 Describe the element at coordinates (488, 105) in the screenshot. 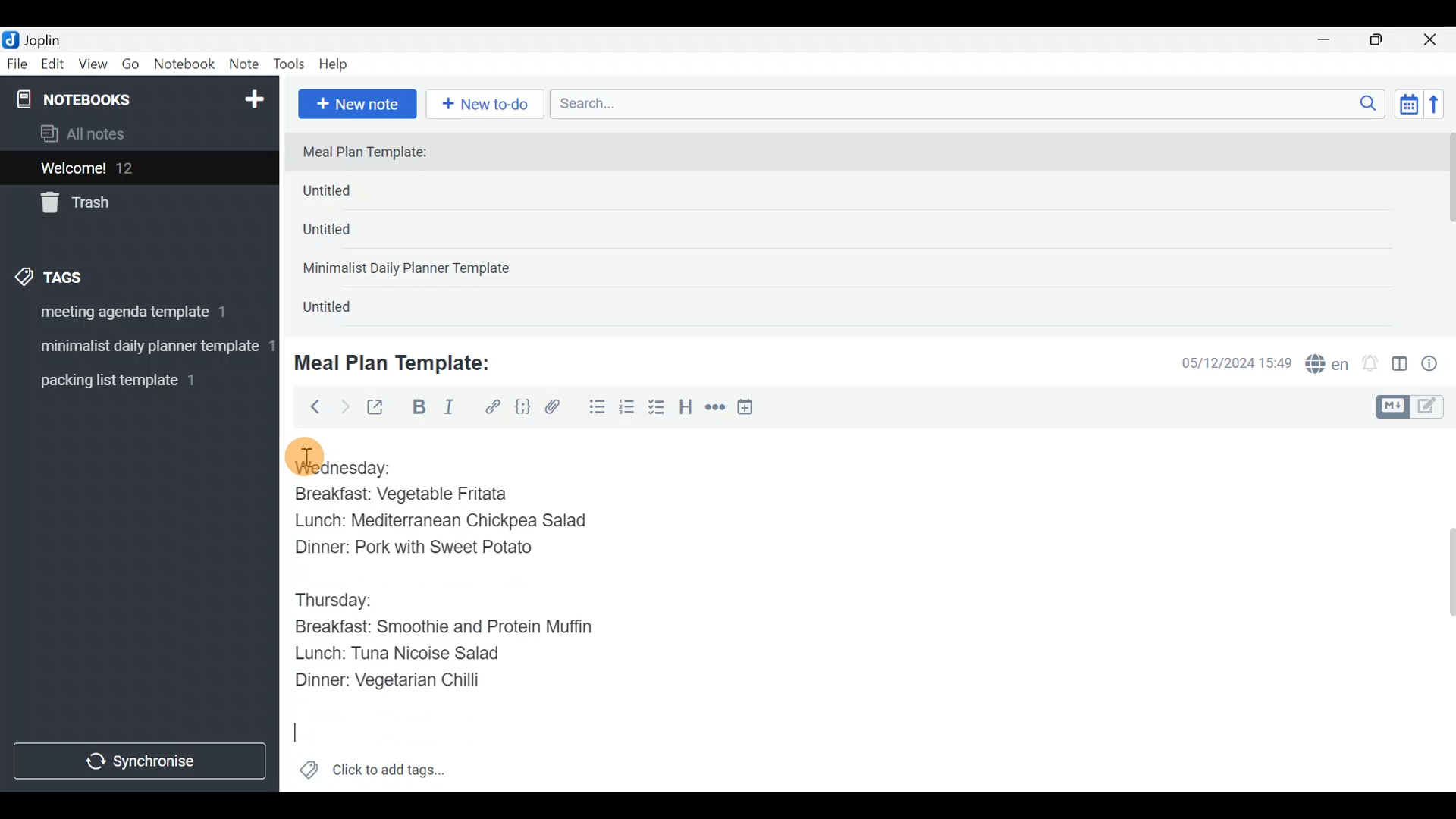

I see `New to-do` at that location.